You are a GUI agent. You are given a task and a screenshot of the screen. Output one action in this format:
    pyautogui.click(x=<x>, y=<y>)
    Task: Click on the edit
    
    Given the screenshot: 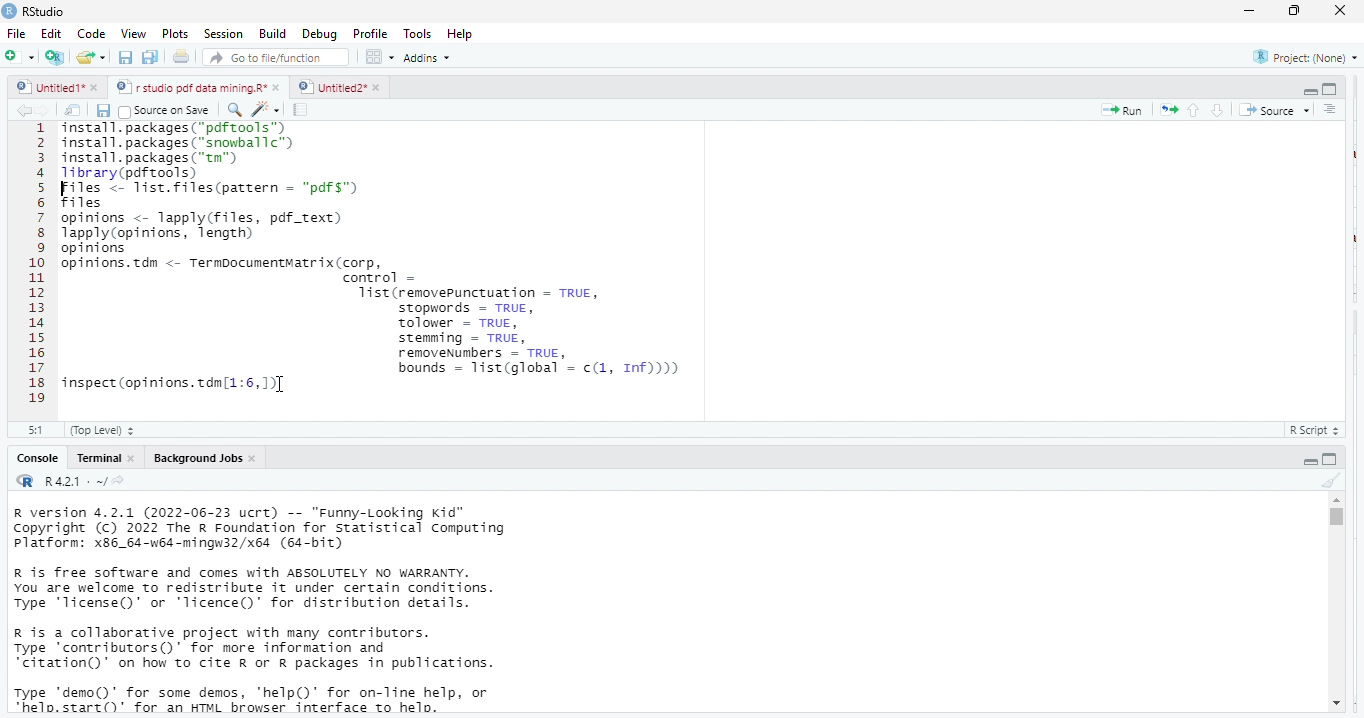 What is the action you would take?
    pyautogui.click(x=51, y=34)
    